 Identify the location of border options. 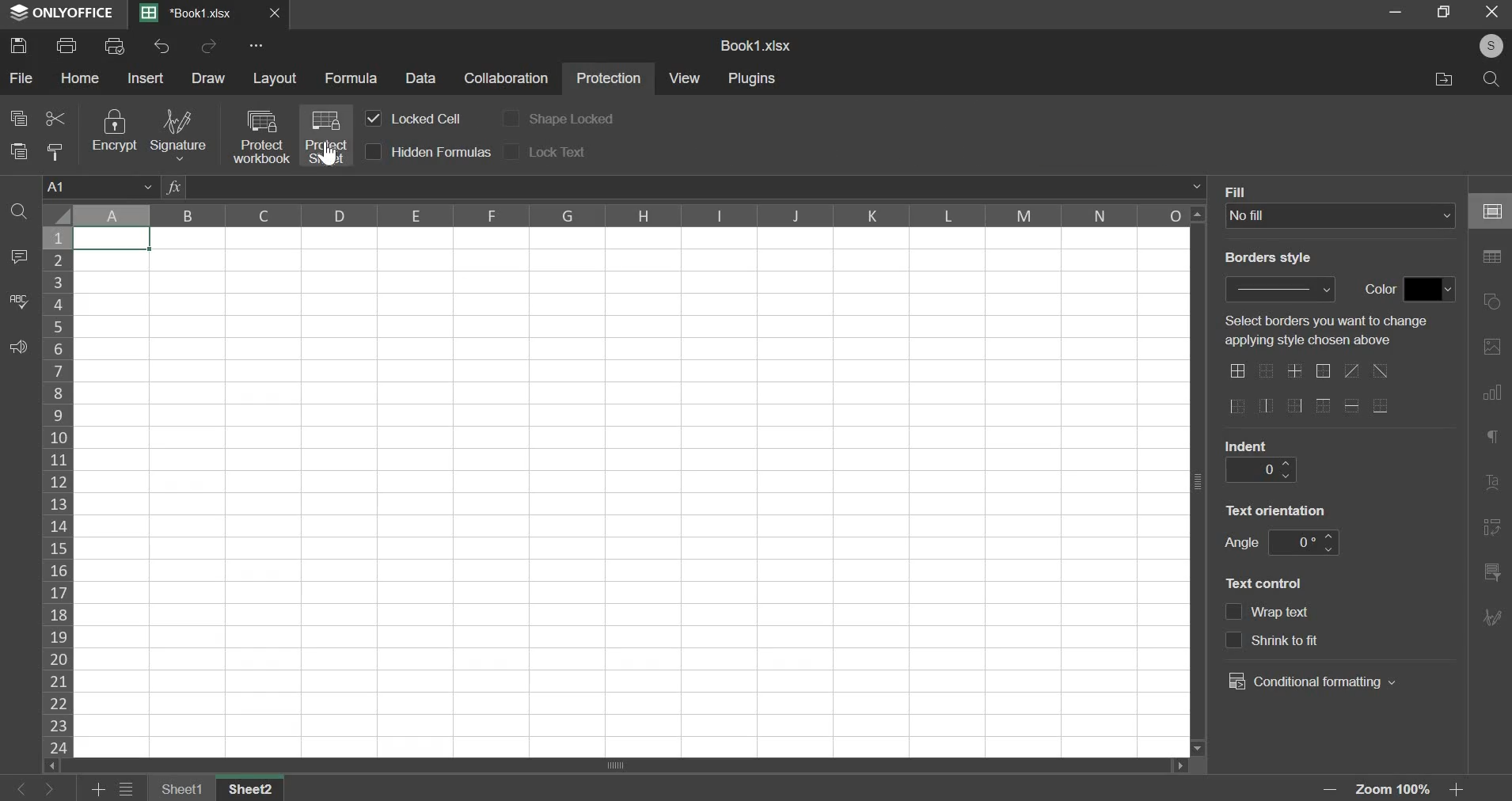
(1237, 370).